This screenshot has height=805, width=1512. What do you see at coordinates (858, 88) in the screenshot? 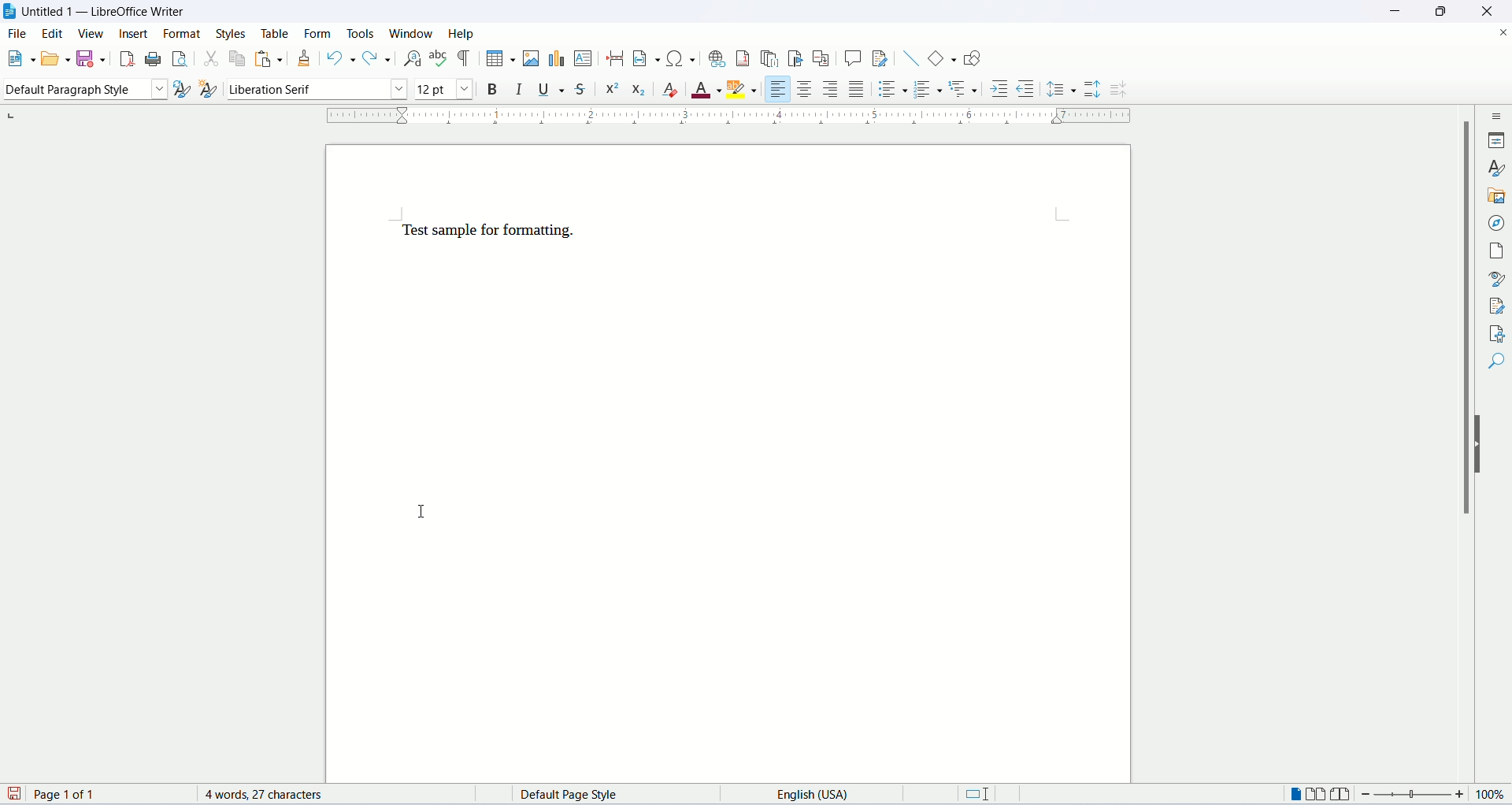
I see `justified` at bounding box center [858, 88].